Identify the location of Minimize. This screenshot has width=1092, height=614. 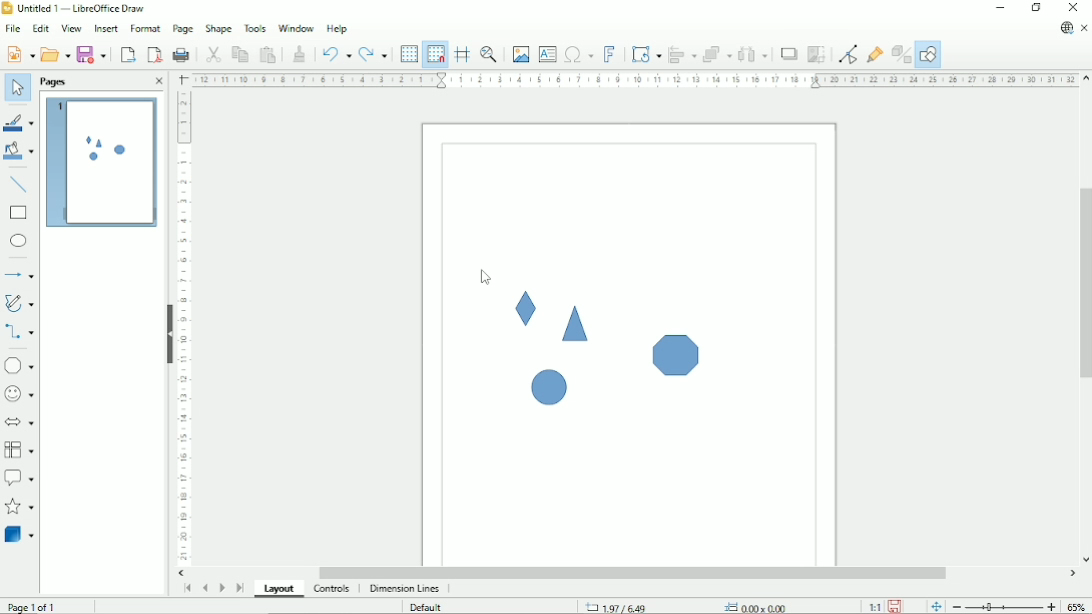
(1002, 8).